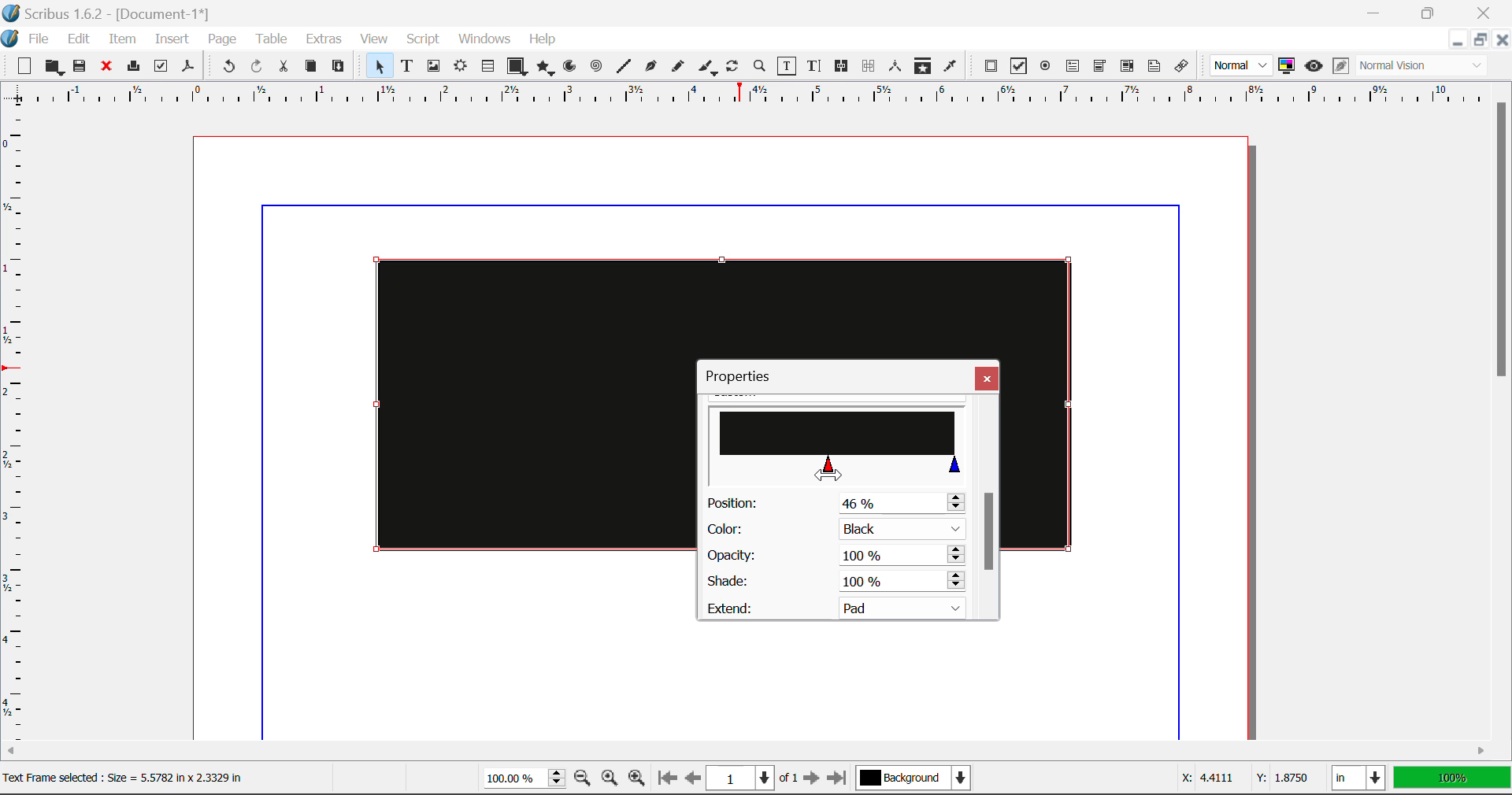  Describe the element at coordinates (828, 472) in the screenshot. I see `DRAG_TO Cursor Position` at that location.